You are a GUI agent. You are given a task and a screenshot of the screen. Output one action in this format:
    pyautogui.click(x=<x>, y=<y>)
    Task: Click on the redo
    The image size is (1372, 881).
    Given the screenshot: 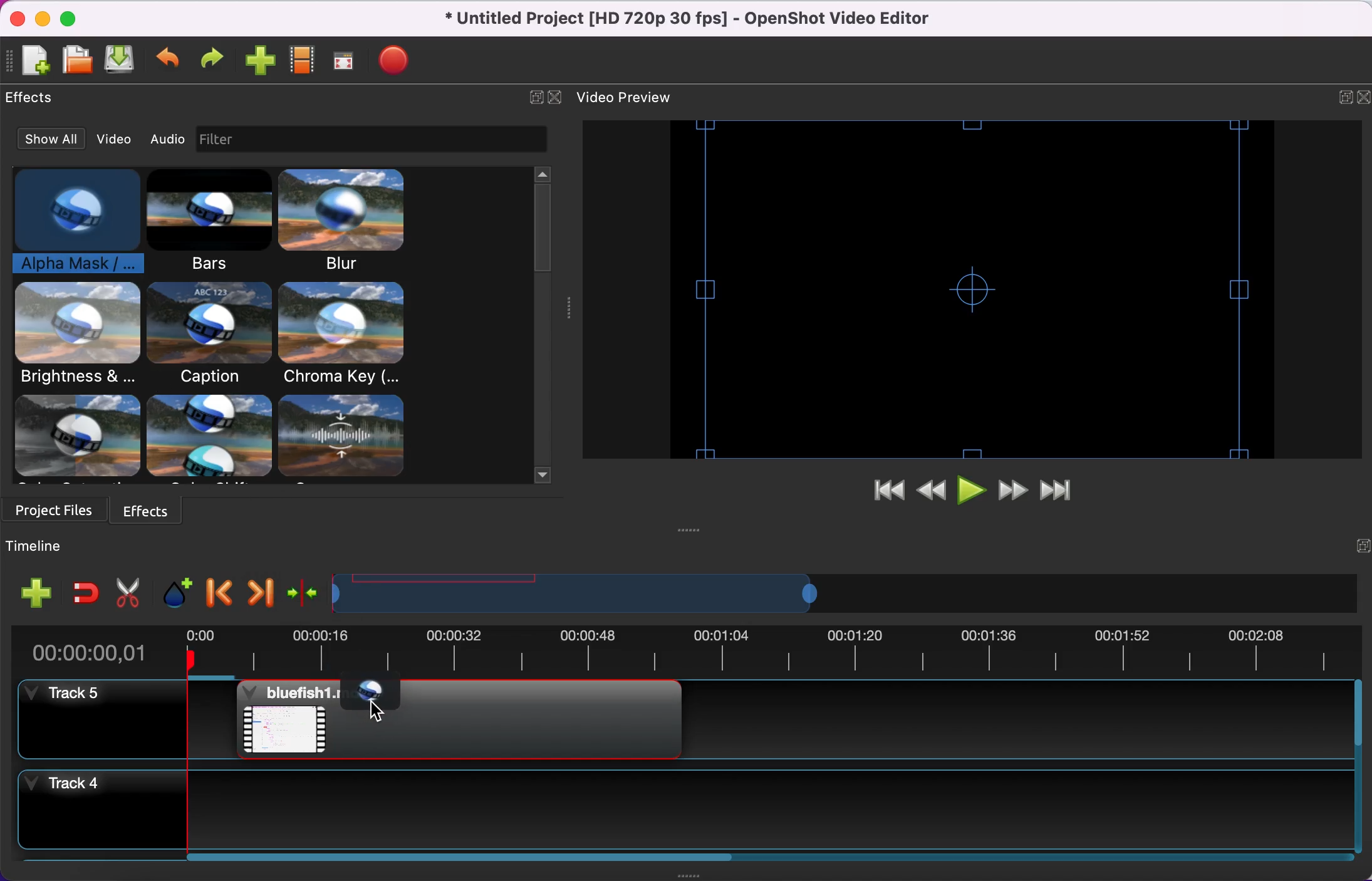 What is the action you would take?
    pyautogui.click(x=211, y=63)
    